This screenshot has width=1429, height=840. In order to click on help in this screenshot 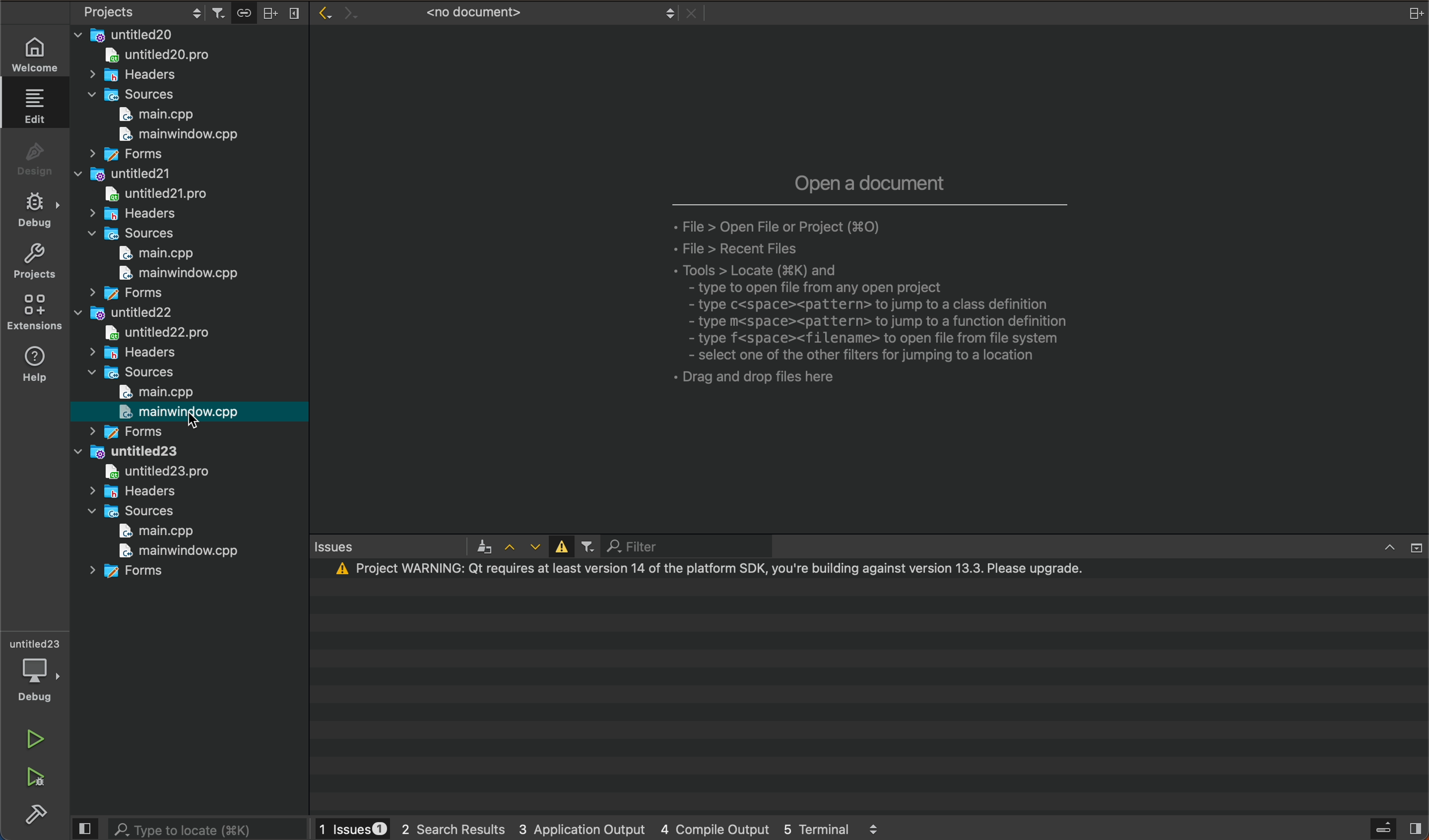, I will do `click(37, 366)`.